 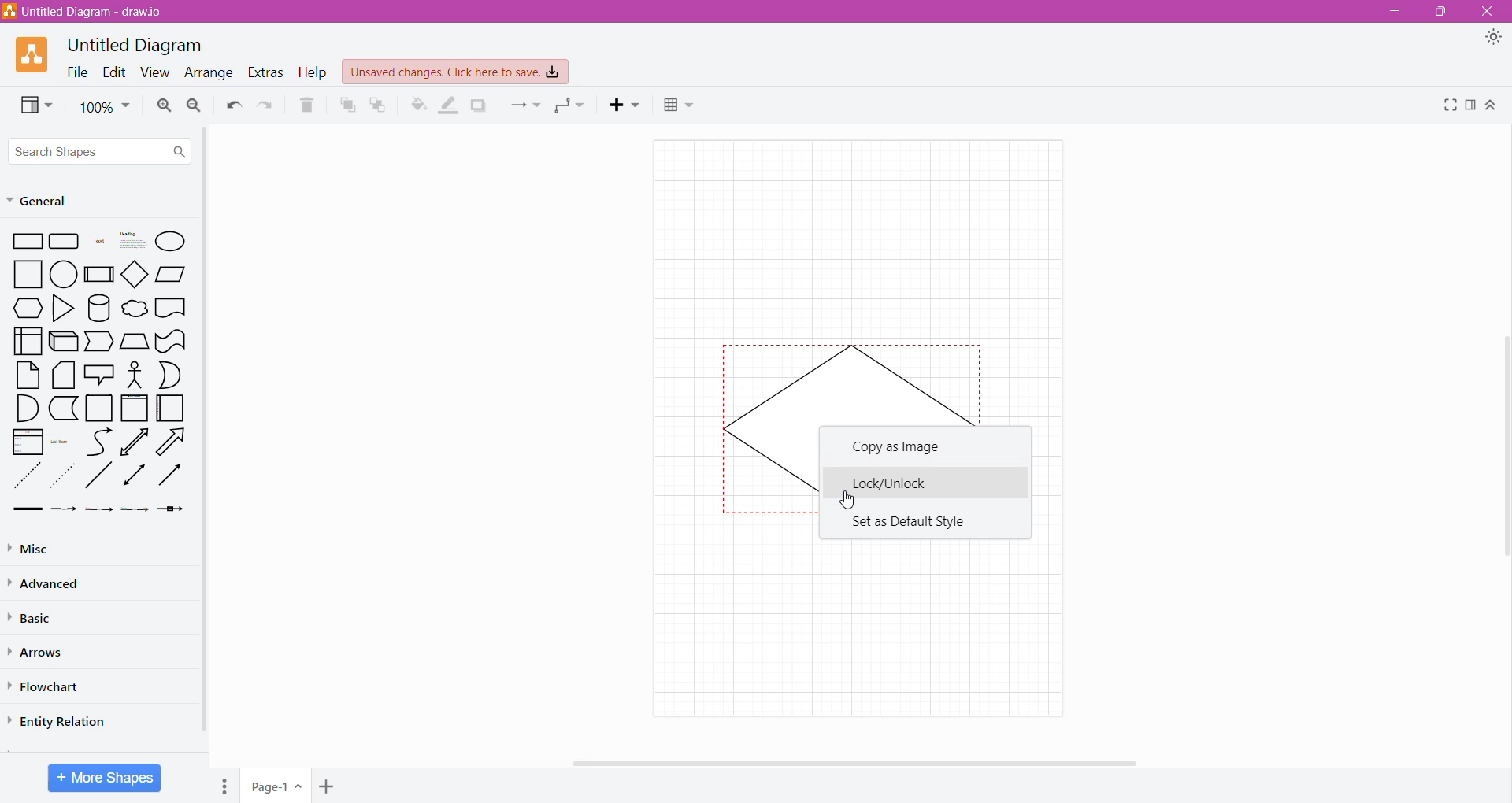 I want to click on Available shape selected, so click(x=848, y=379).